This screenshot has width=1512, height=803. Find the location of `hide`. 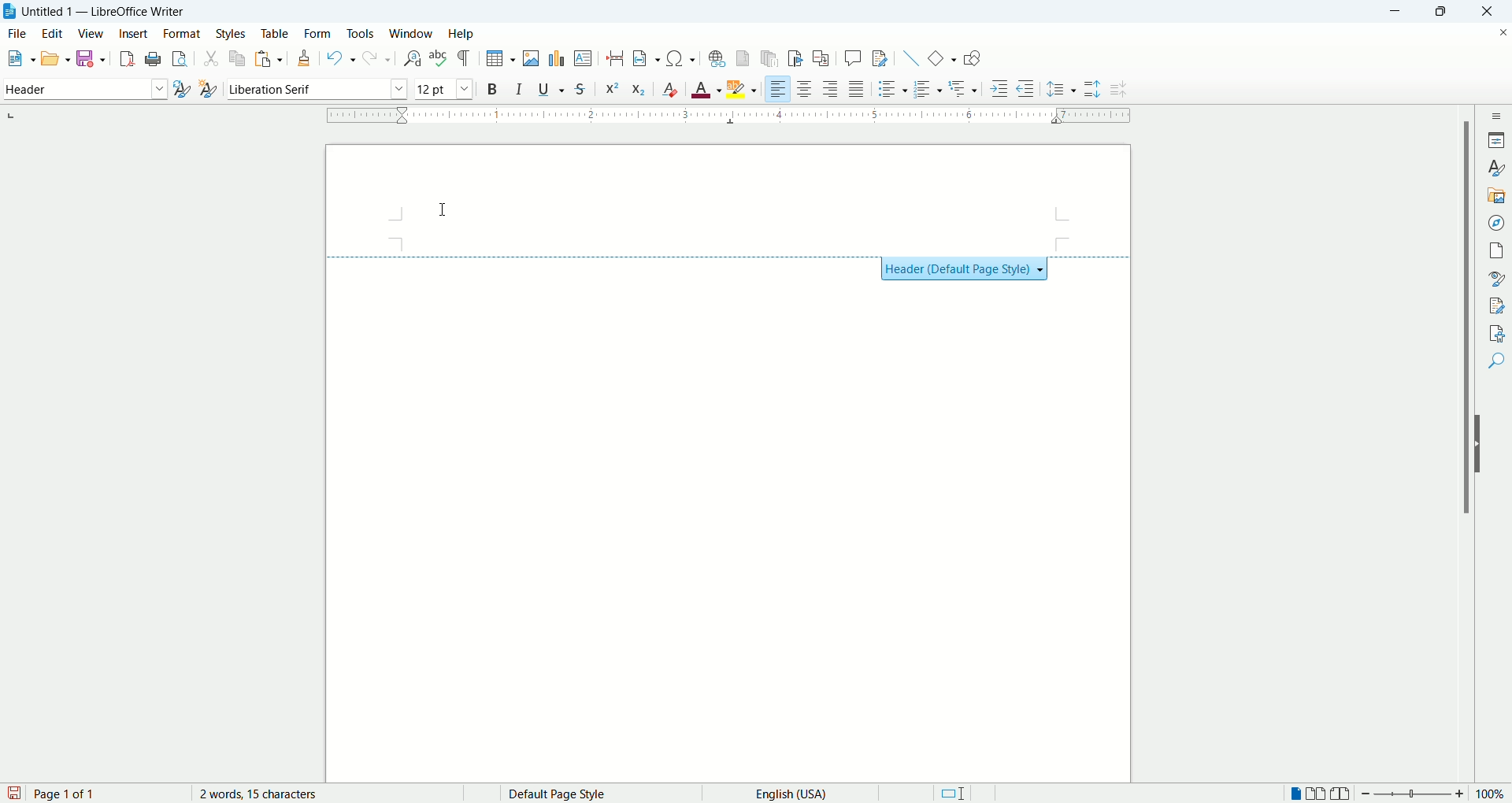

hide is located at coordinates (1482, 448).